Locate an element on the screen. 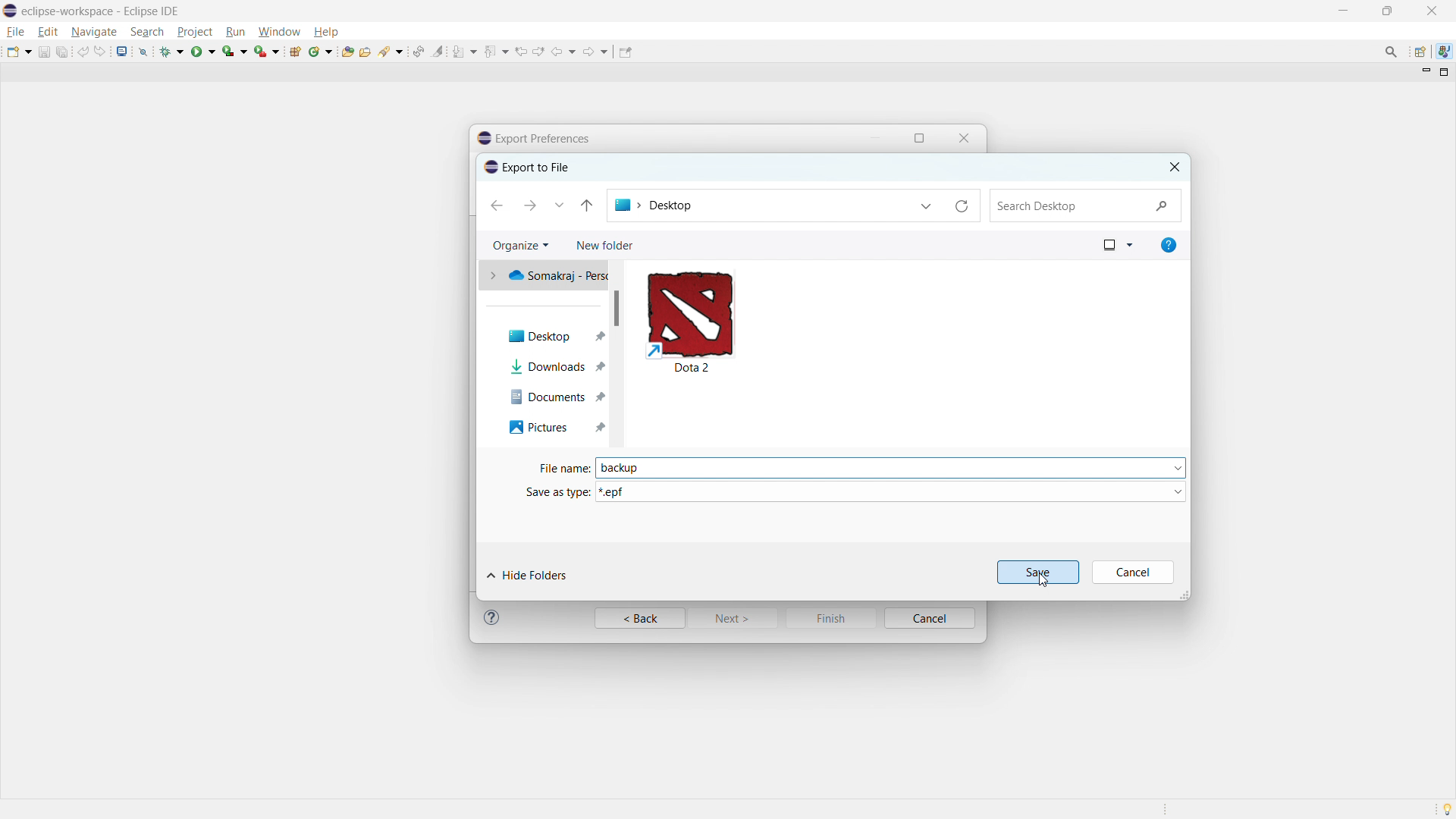  Organize is located at coordinates (521, 245).